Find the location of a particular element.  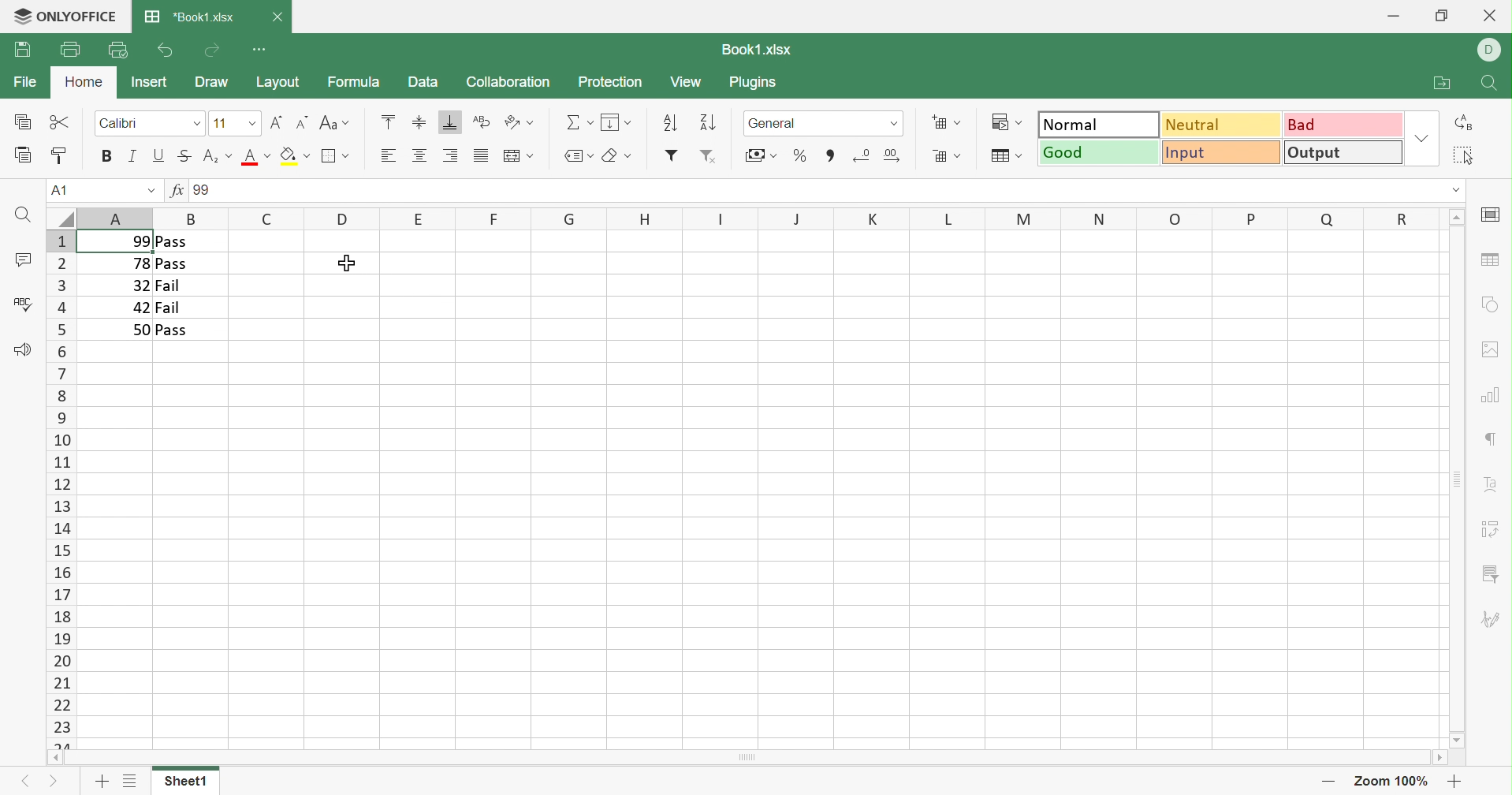

*Book1.xlsx is located at coordinates (189, 16).